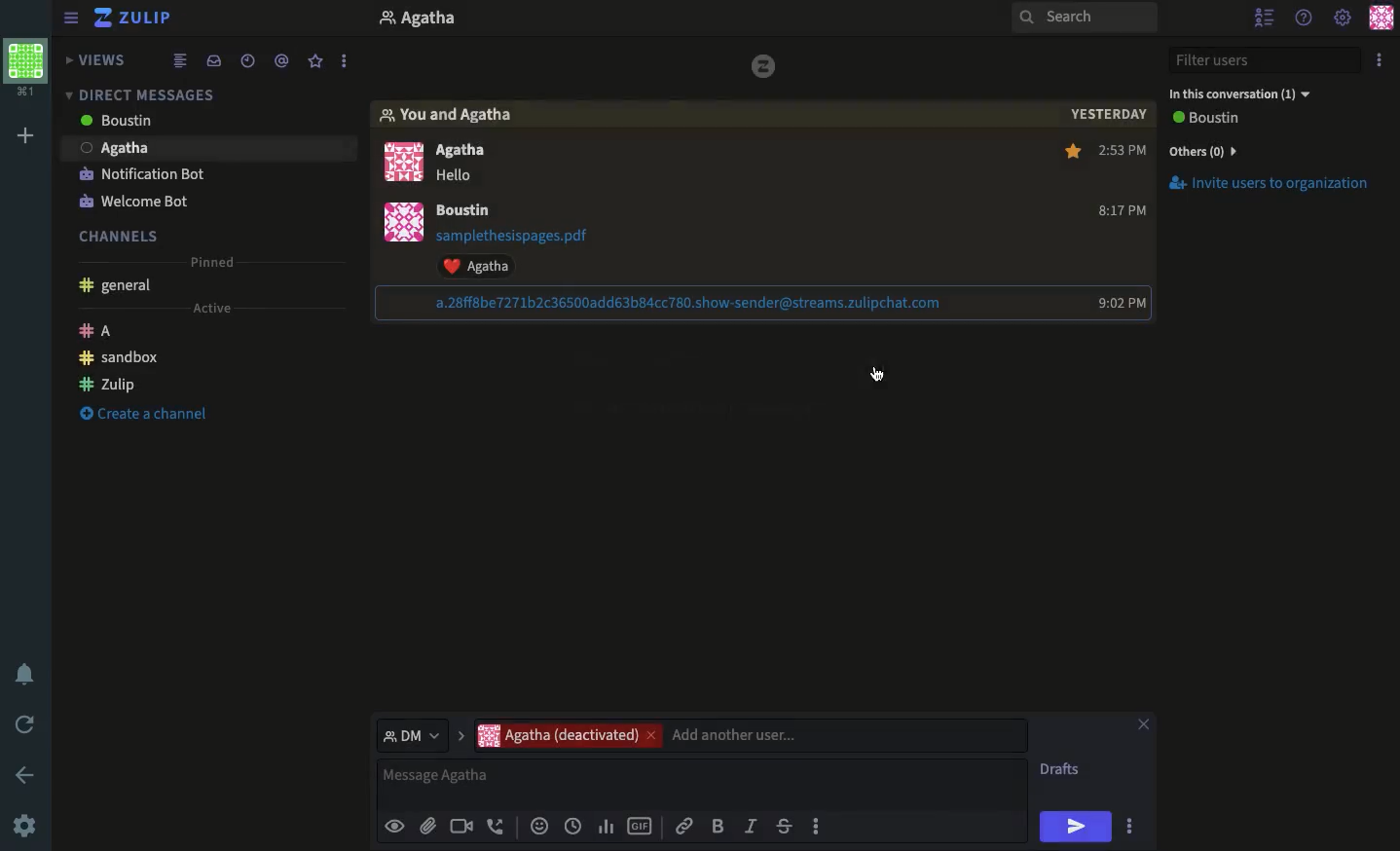 The image size is (1400, 851). Describe the element at coordinates (218, 263) in the screenshot. I see `Pinned` at that location.